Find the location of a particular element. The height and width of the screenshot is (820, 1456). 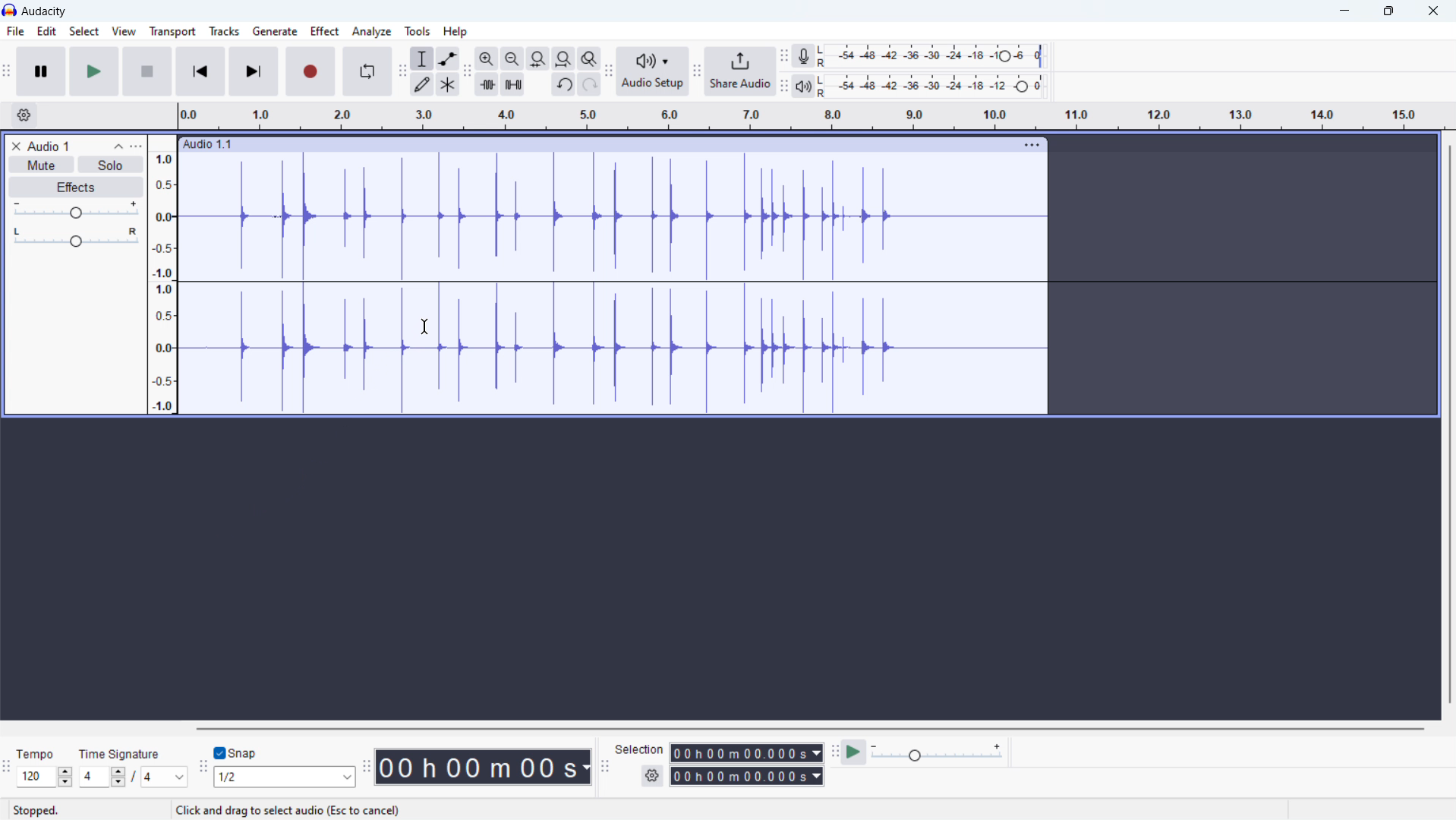

file is located at coordinates (15, 31).